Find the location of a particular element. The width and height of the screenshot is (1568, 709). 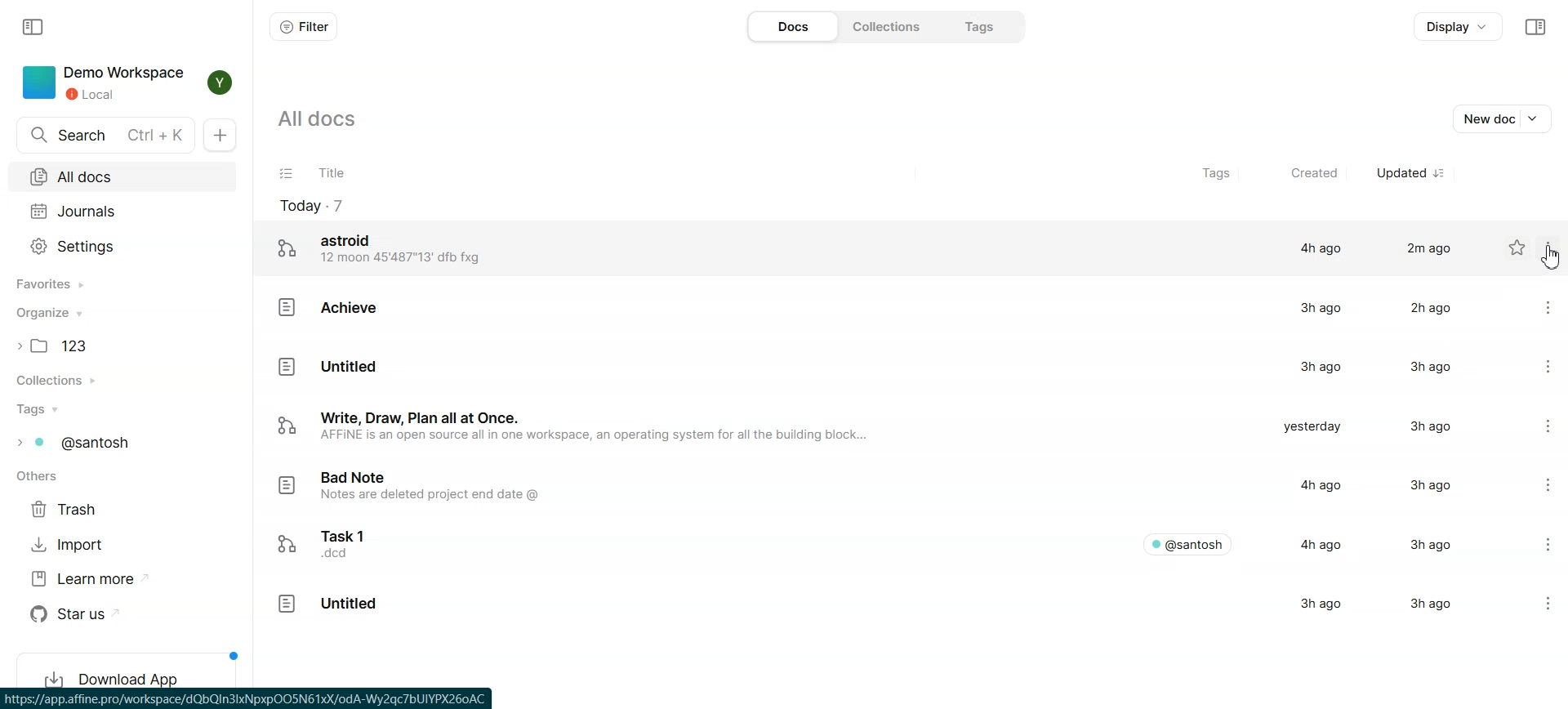

Settings is located at coordinates (1532, 360).